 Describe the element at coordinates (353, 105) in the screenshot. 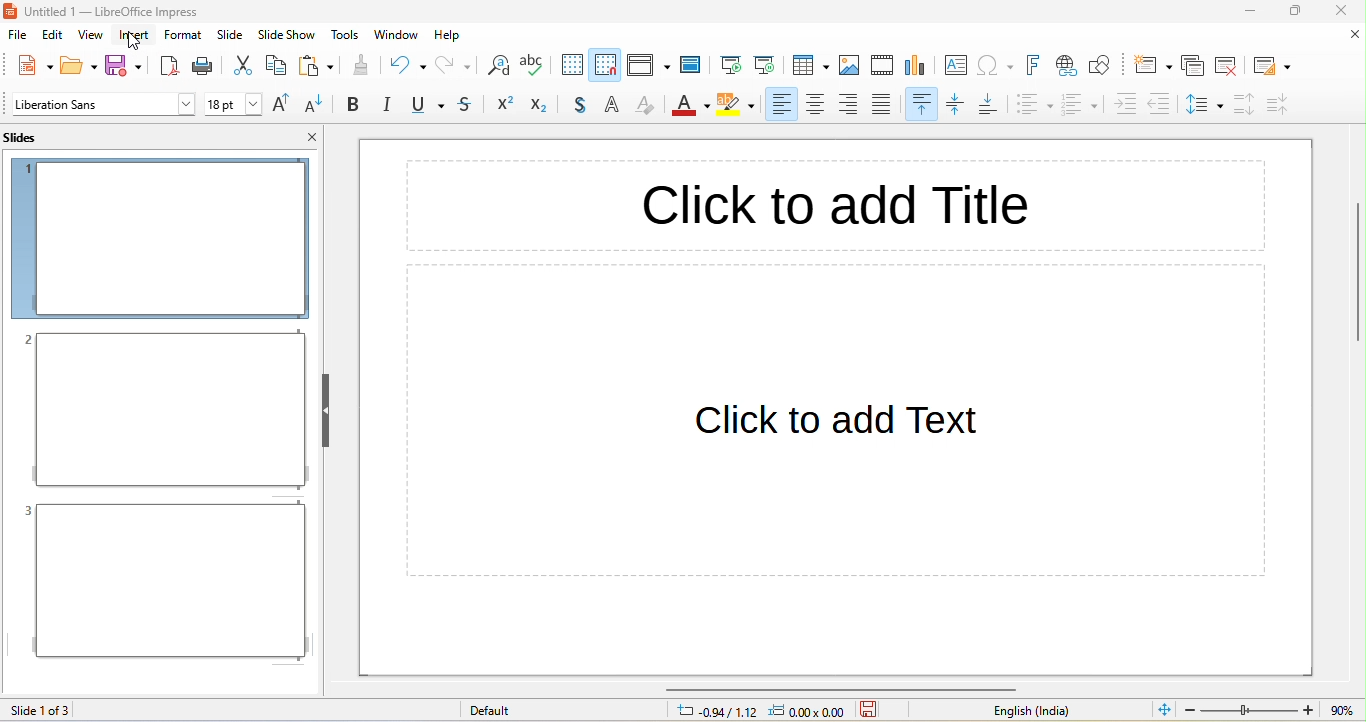

I see `bold` at that location.